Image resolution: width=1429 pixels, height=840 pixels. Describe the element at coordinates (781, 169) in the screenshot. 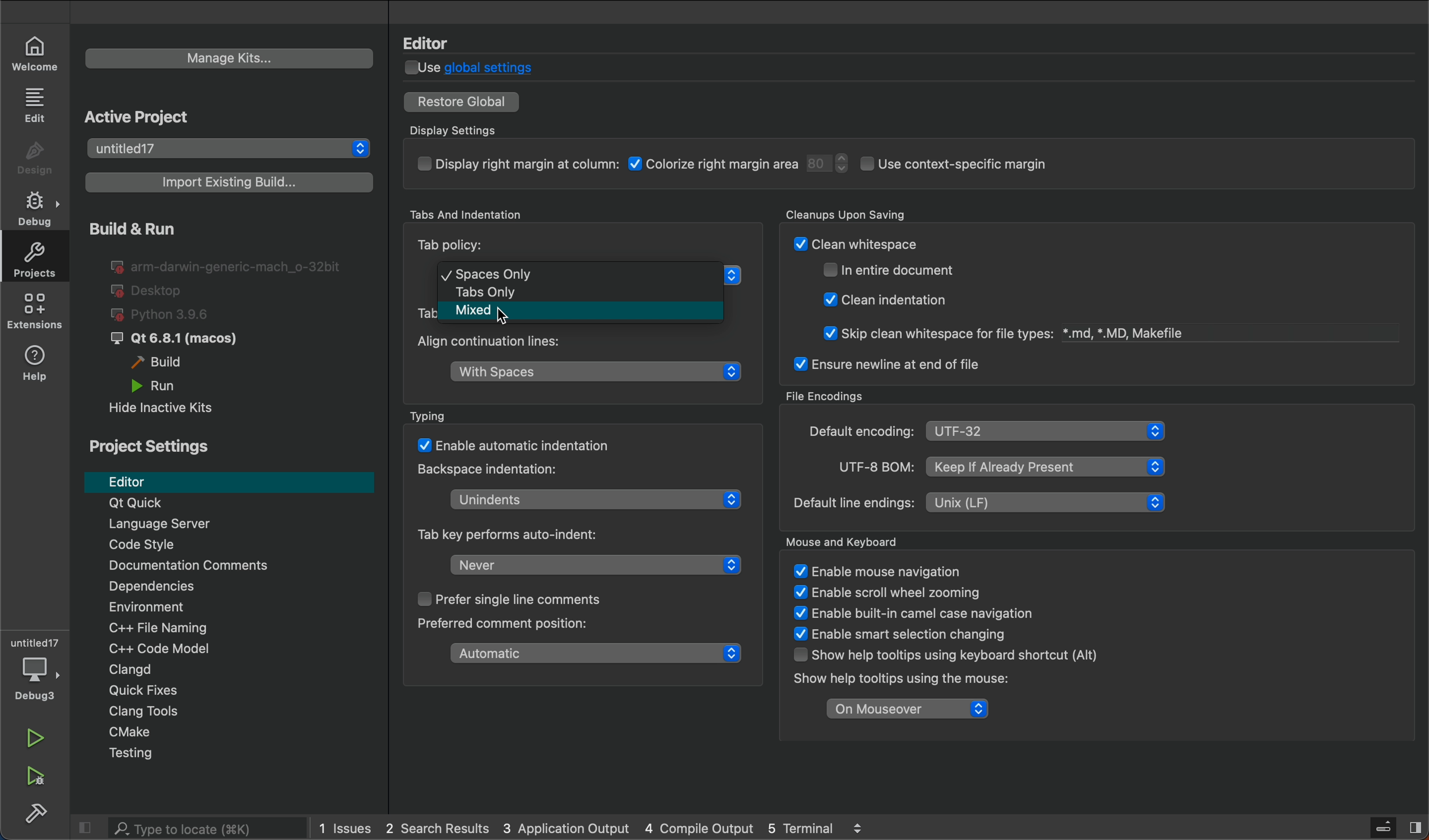

I see `display settings` at that location.